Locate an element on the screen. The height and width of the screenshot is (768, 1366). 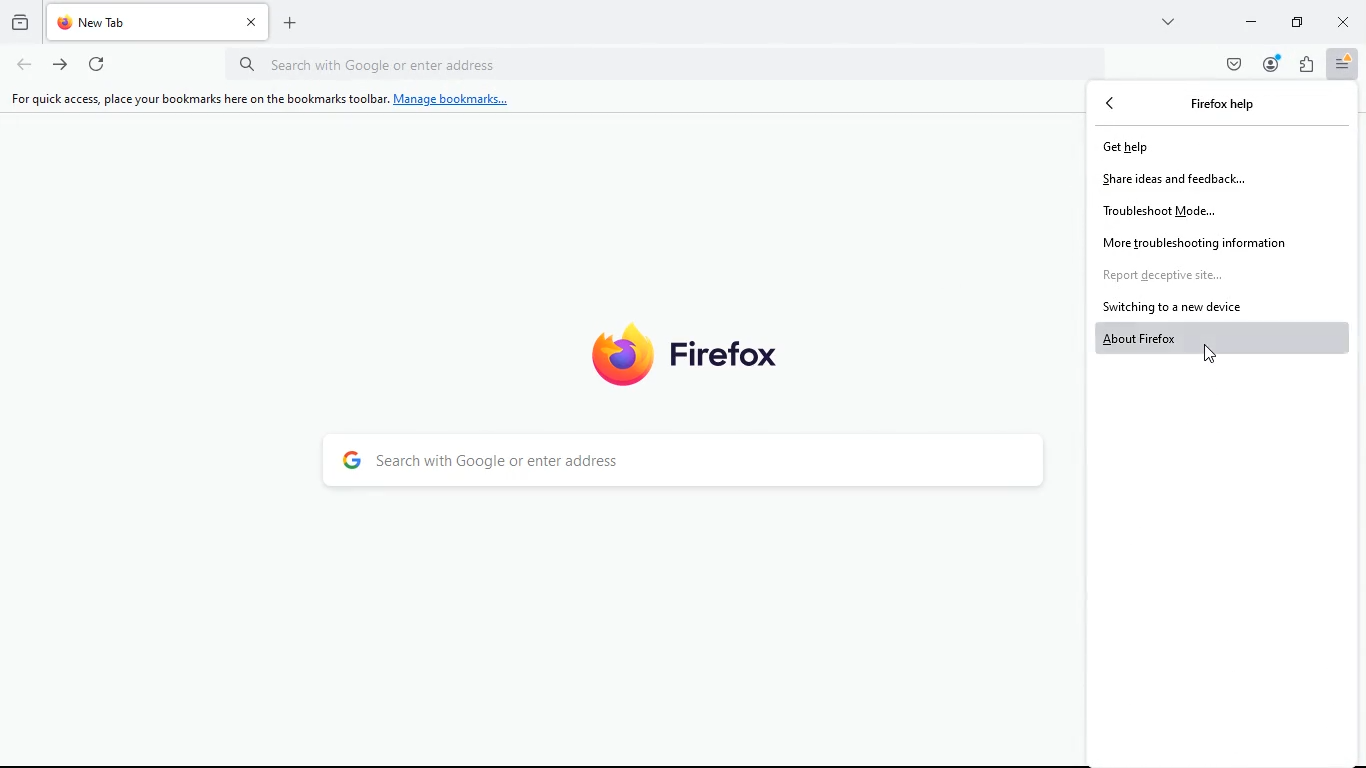
Cursor is located at coordinates (1209, 353).